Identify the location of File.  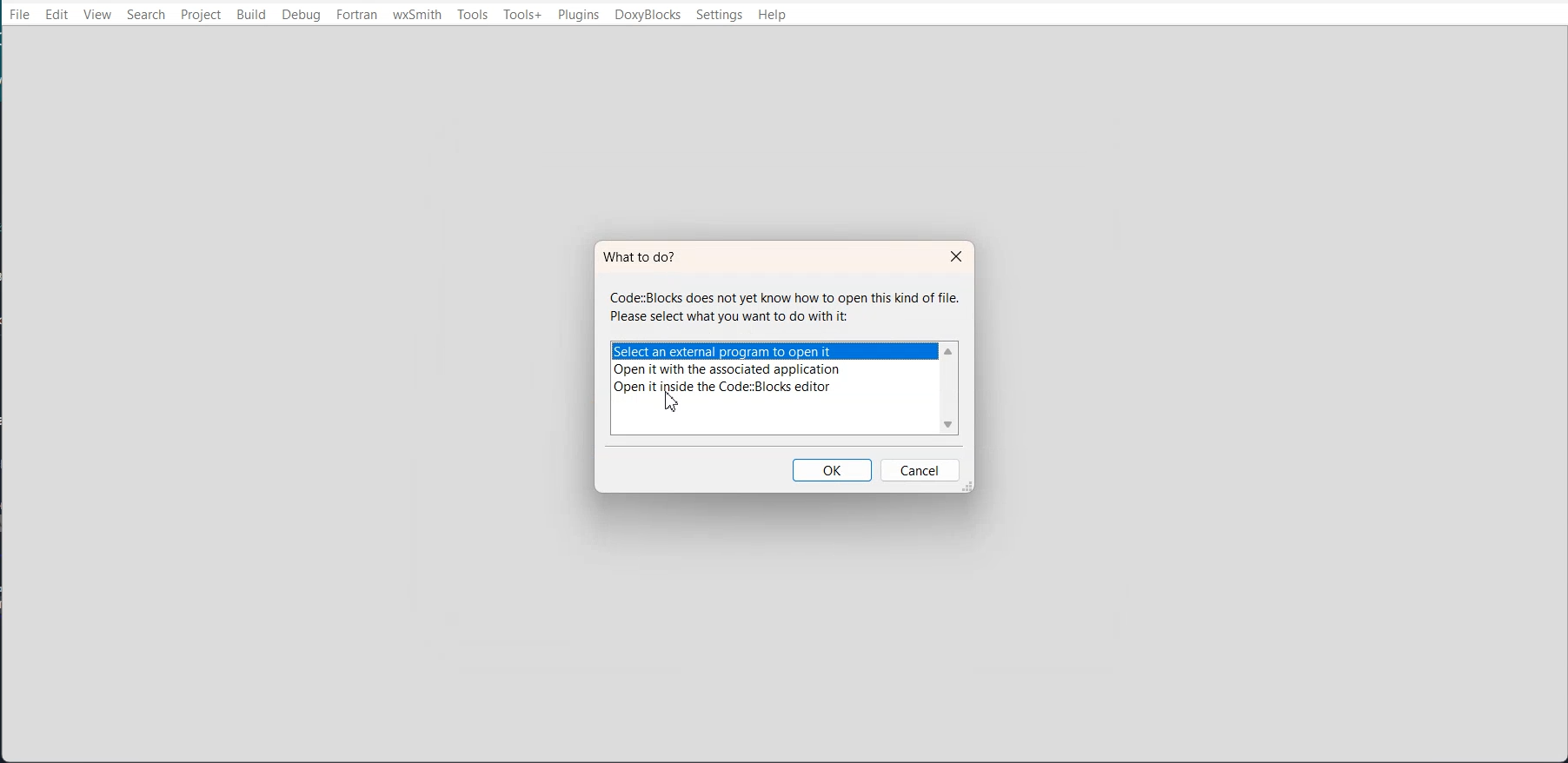
(19, 14).